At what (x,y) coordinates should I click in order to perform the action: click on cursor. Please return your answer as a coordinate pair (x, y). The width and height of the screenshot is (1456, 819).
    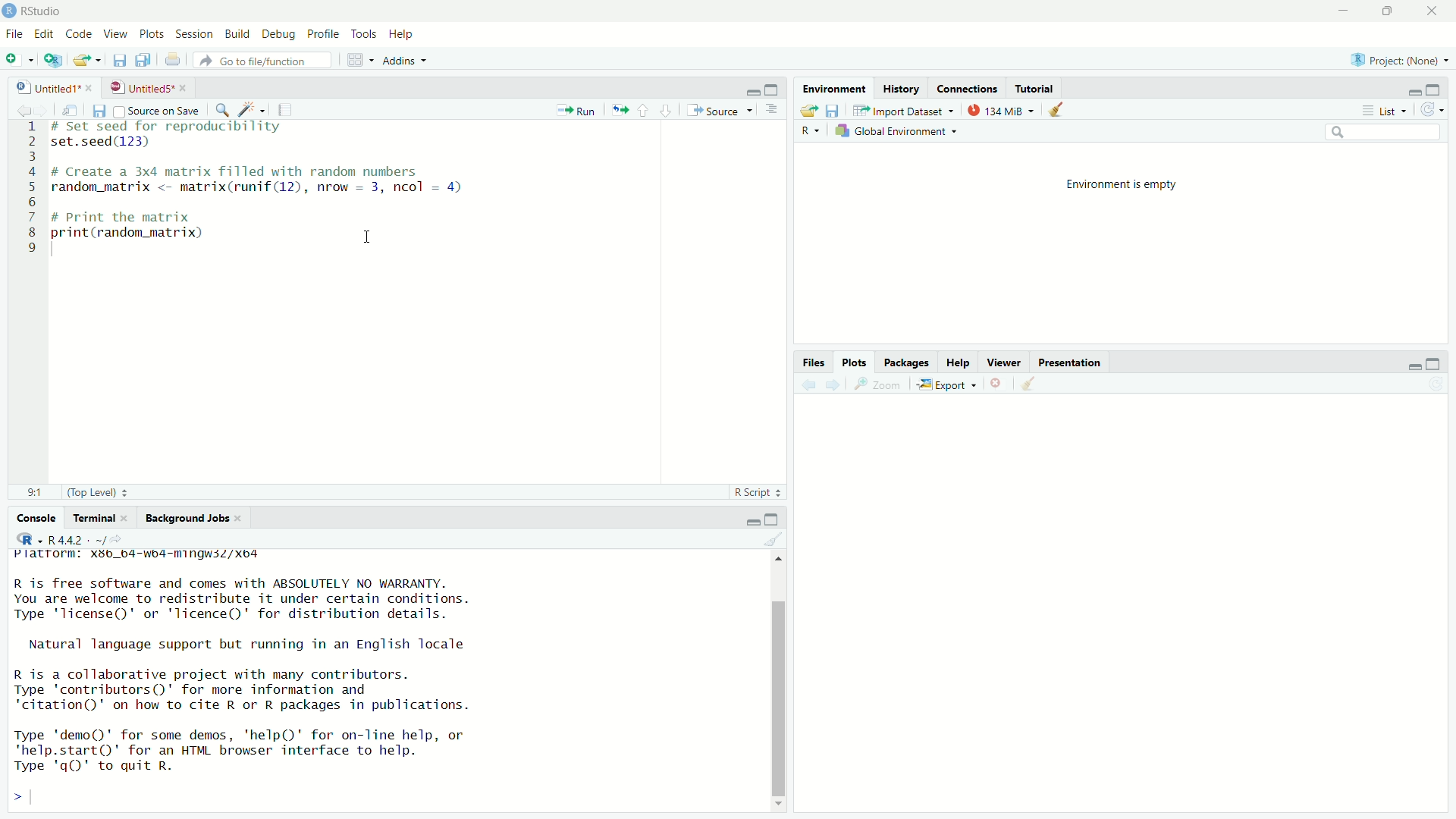
    Looking at the image, I should click on (369, 240).